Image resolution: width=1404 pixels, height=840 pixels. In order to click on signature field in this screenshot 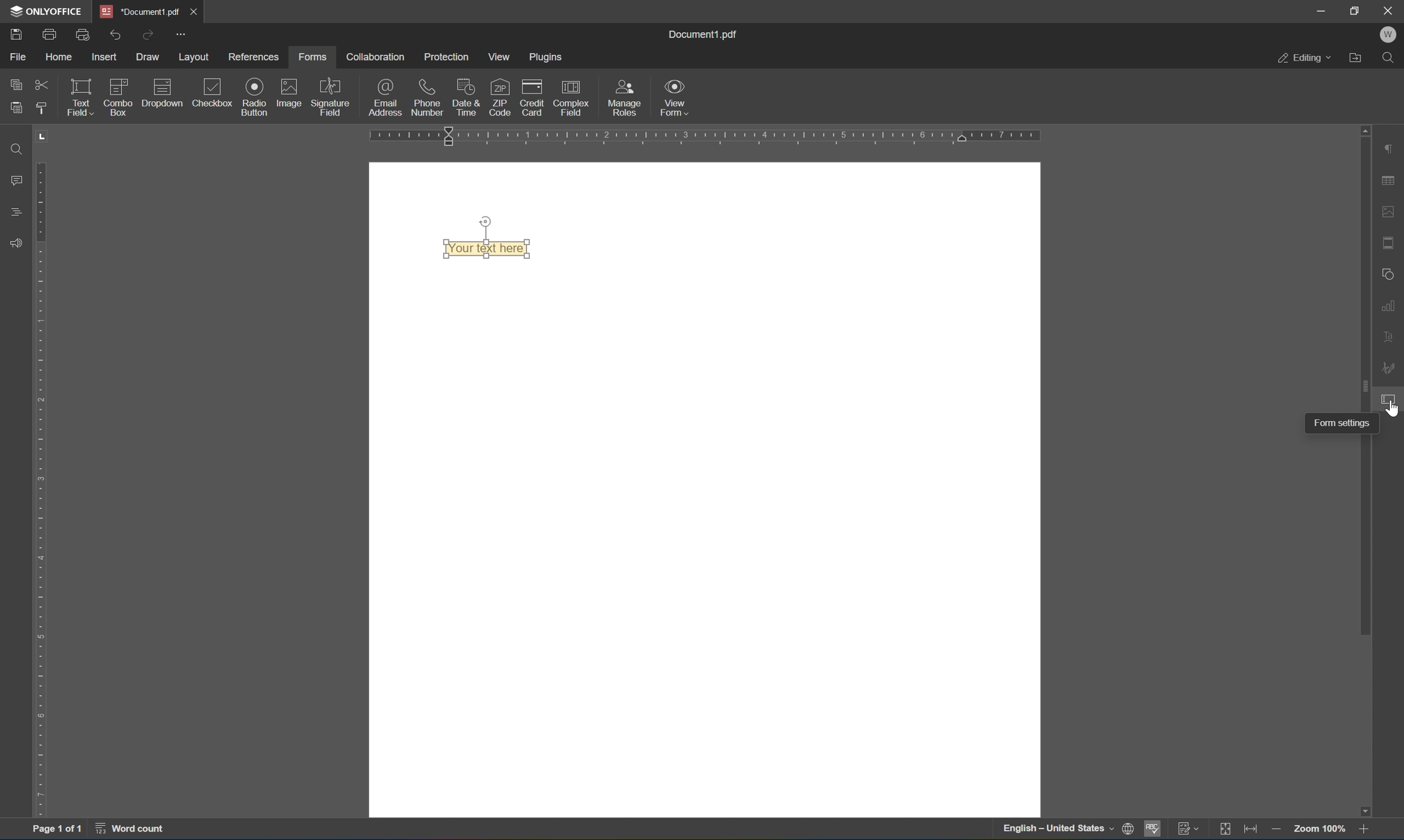, I will do `click(333, 98)`.